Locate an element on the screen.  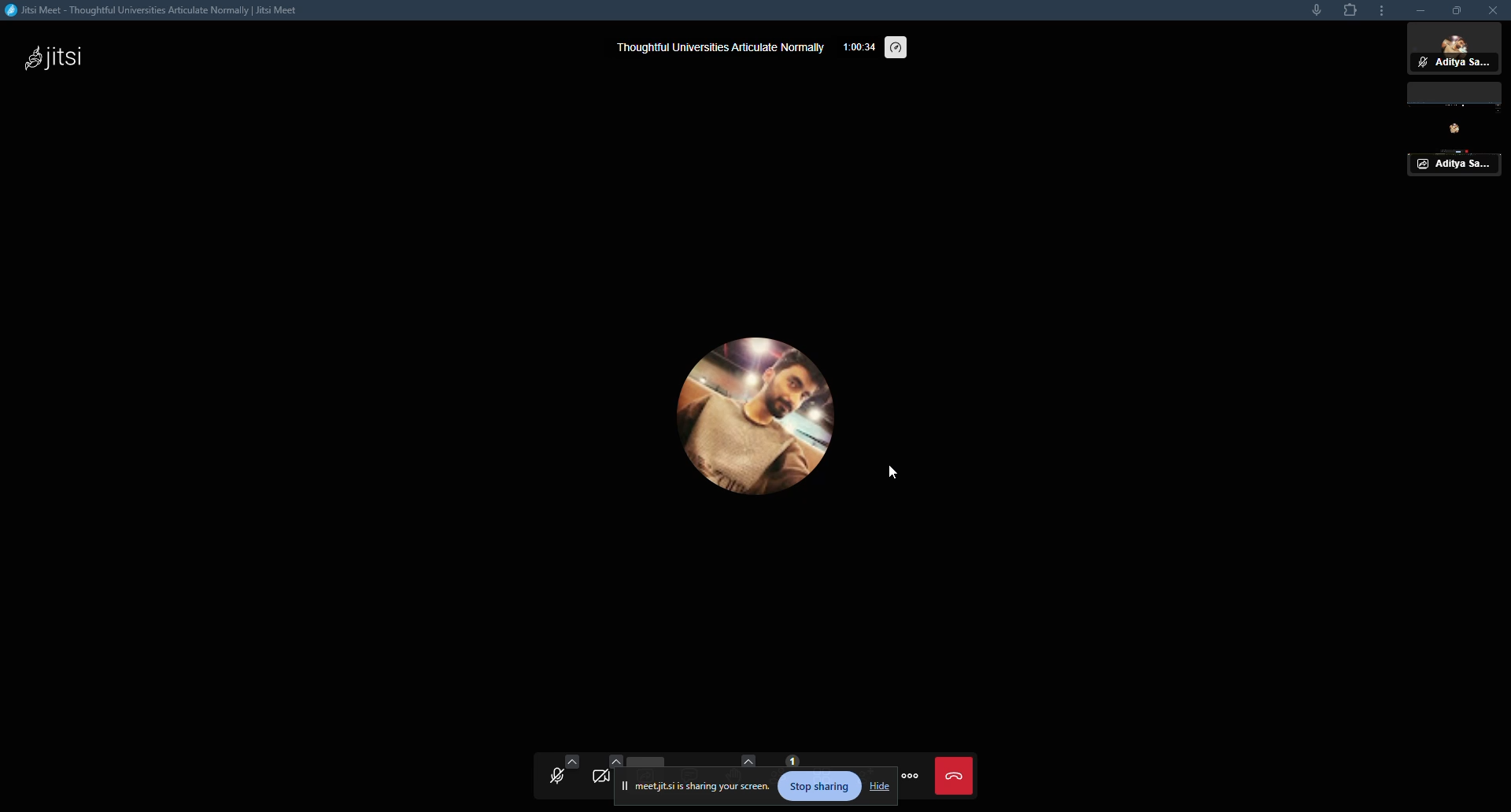
microphone is located at coordinates (1310, 13).